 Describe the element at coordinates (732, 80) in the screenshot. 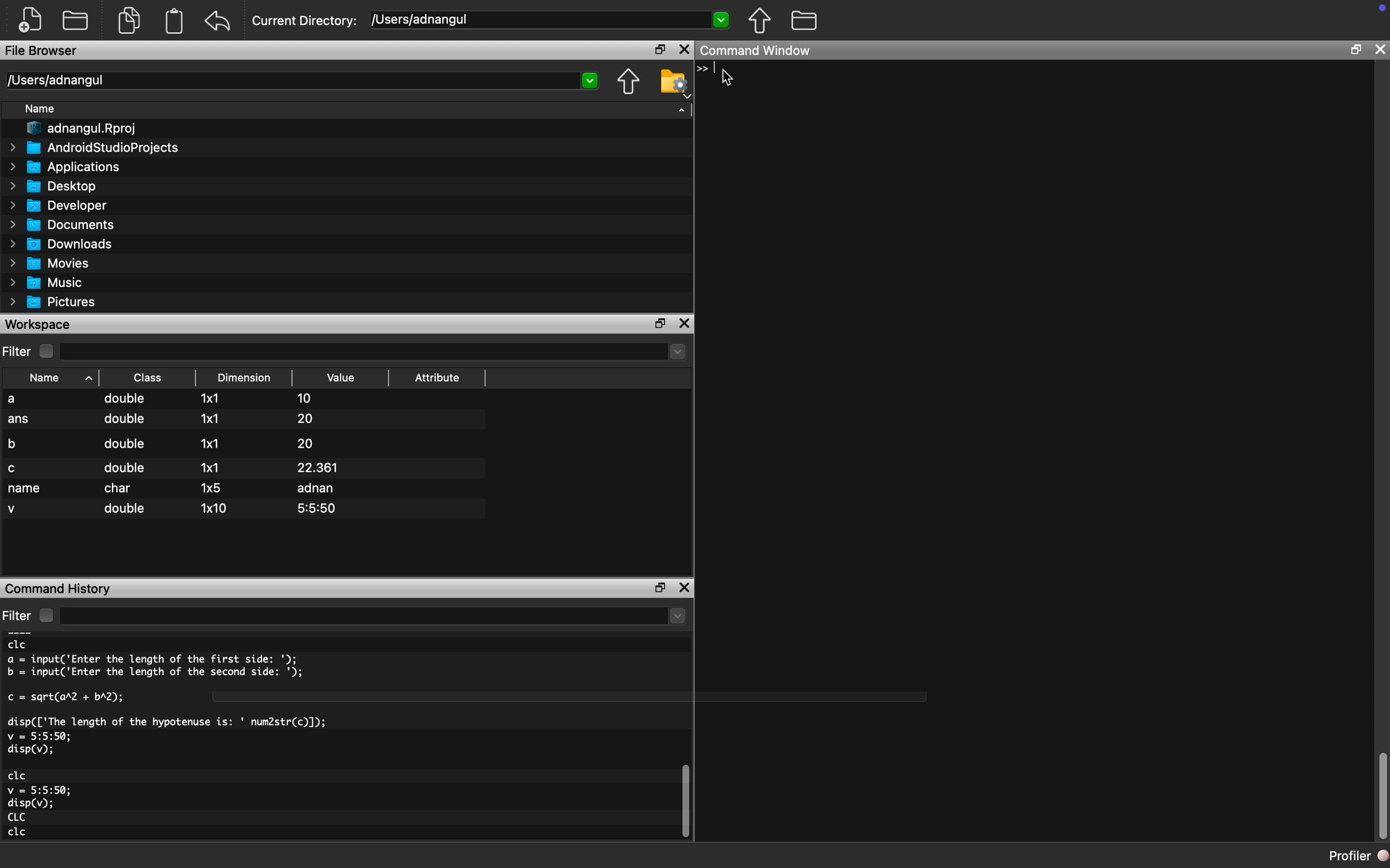

I see `Cursor` at that location.